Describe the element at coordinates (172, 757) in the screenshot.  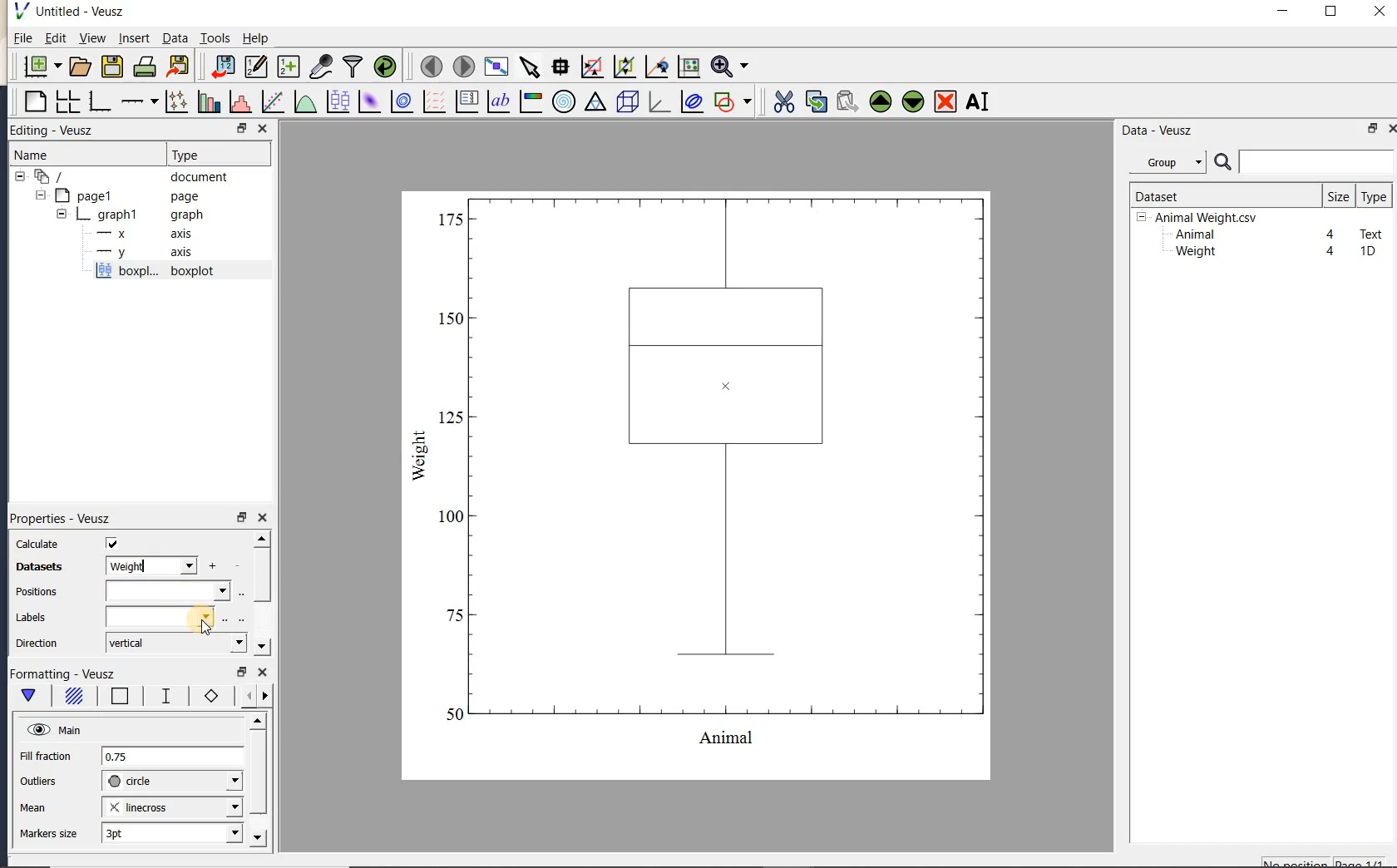
I see `0.75` at that location.